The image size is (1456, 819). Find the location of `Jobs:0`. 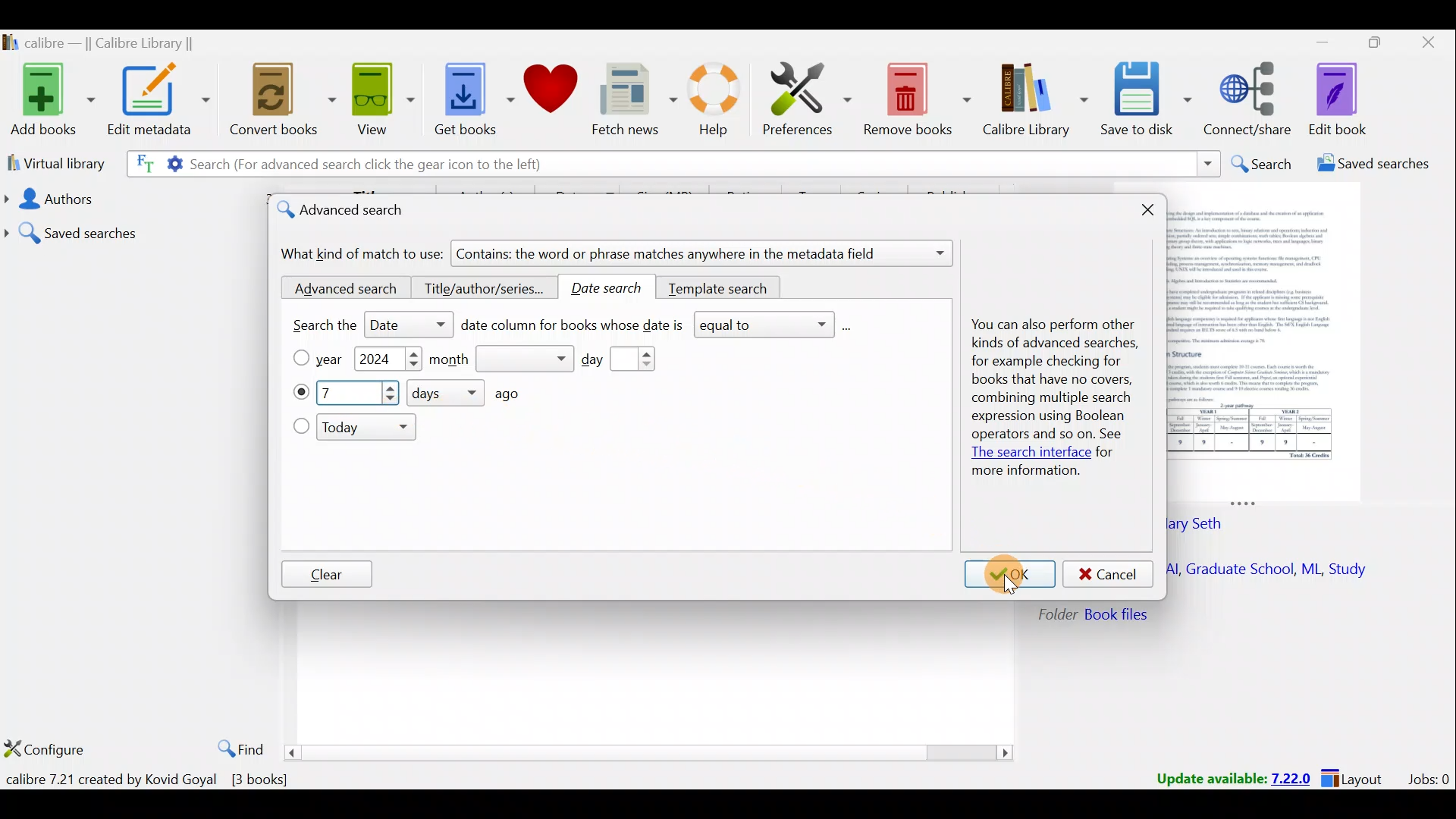

Jobs:0 is located at coordinates (1428, 778).